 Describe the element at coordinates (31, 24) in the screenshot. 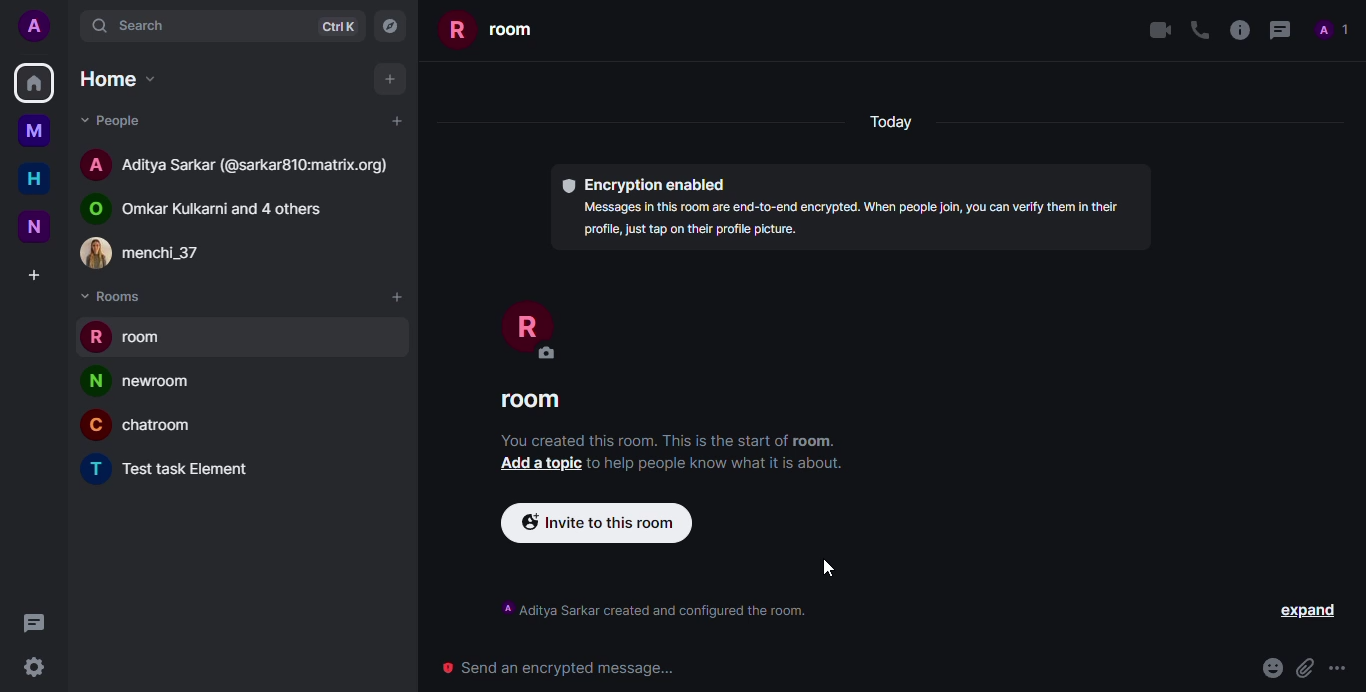

I see `profile` at that location.